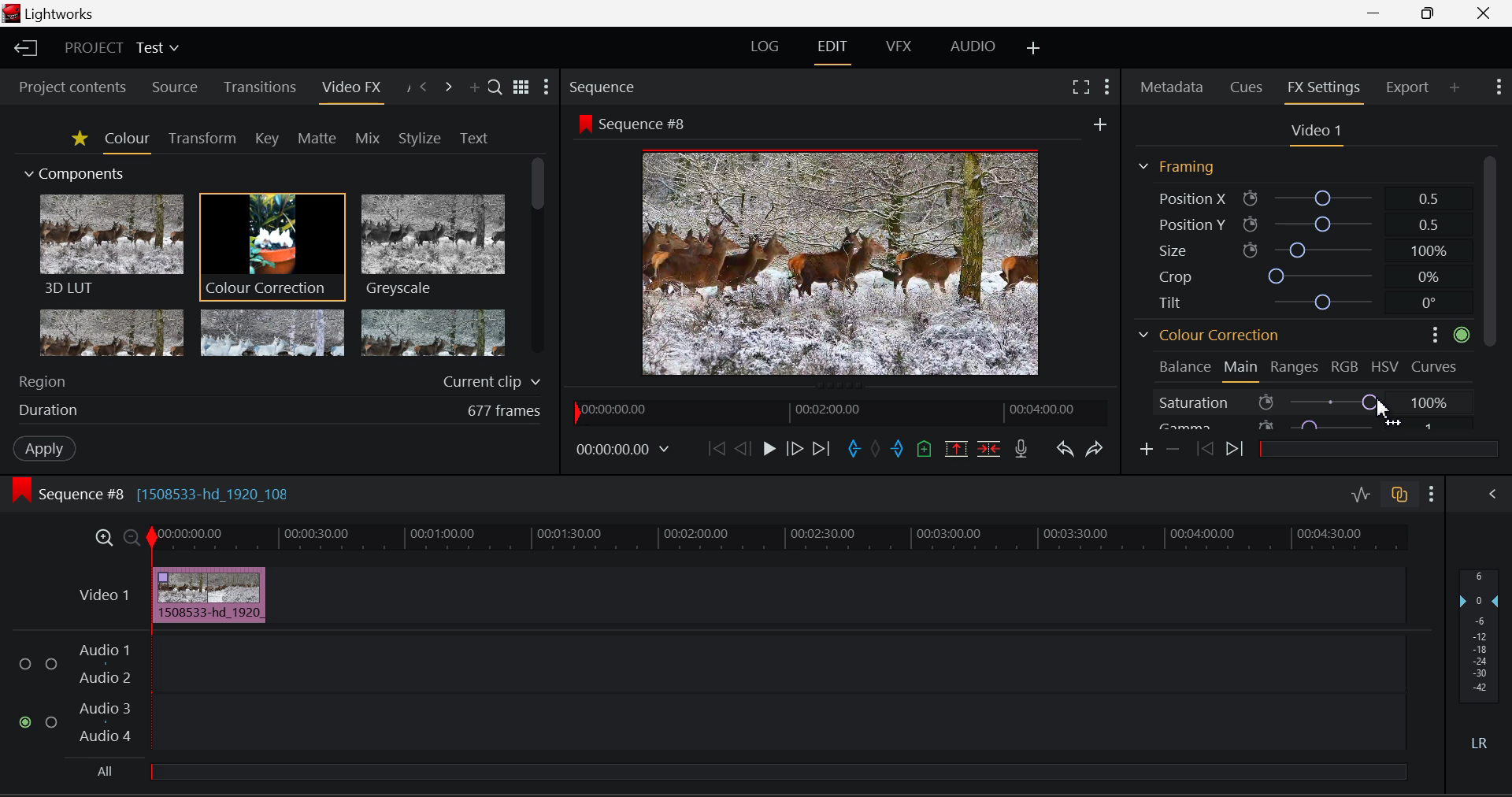  Describe the element at coordinates (767, 50) in the screenshot. I see `LOG Layout` at that location.